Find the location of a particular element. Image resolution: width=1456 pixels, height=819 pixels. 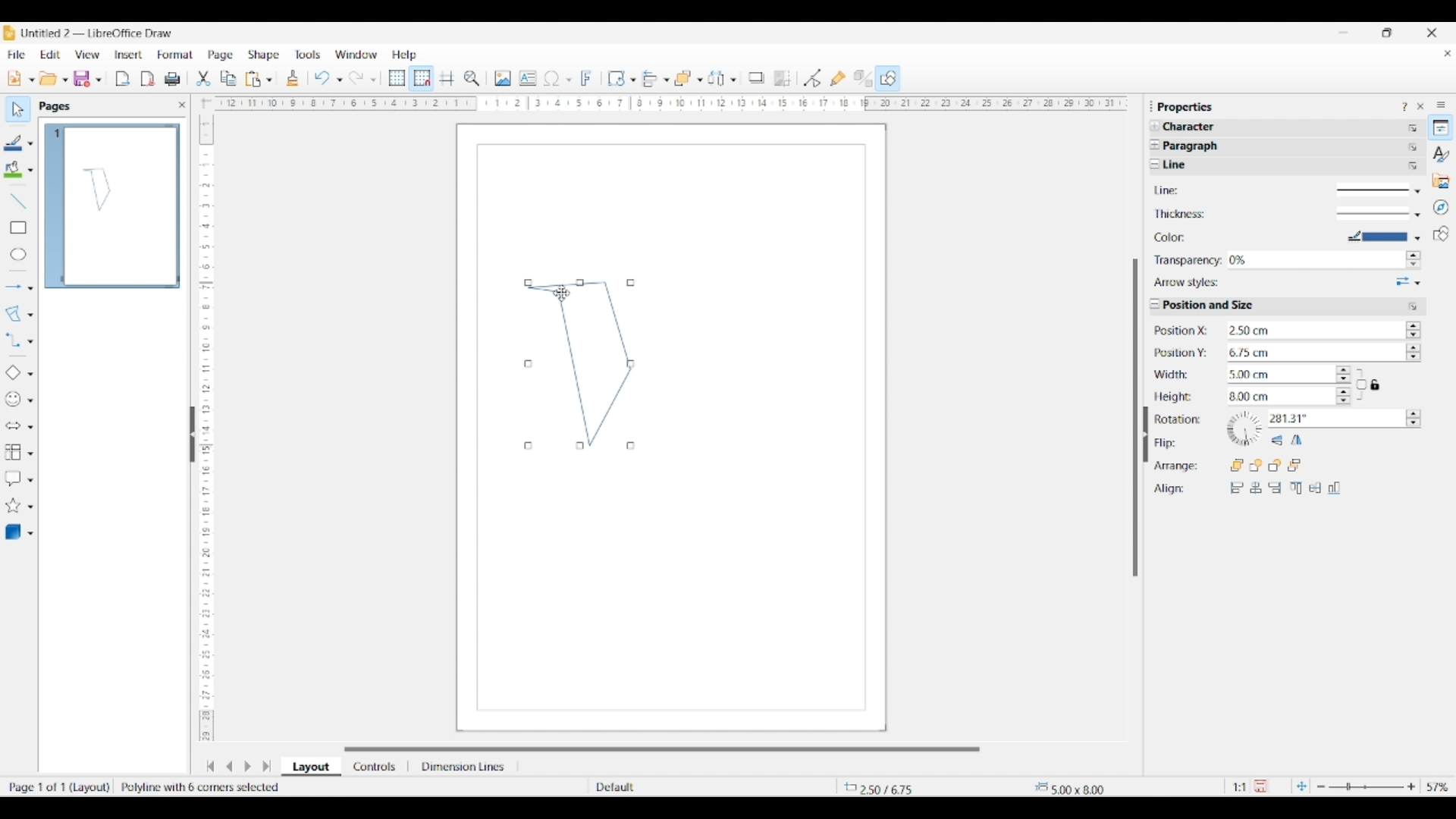

Format is located at coordinates (176, 55).